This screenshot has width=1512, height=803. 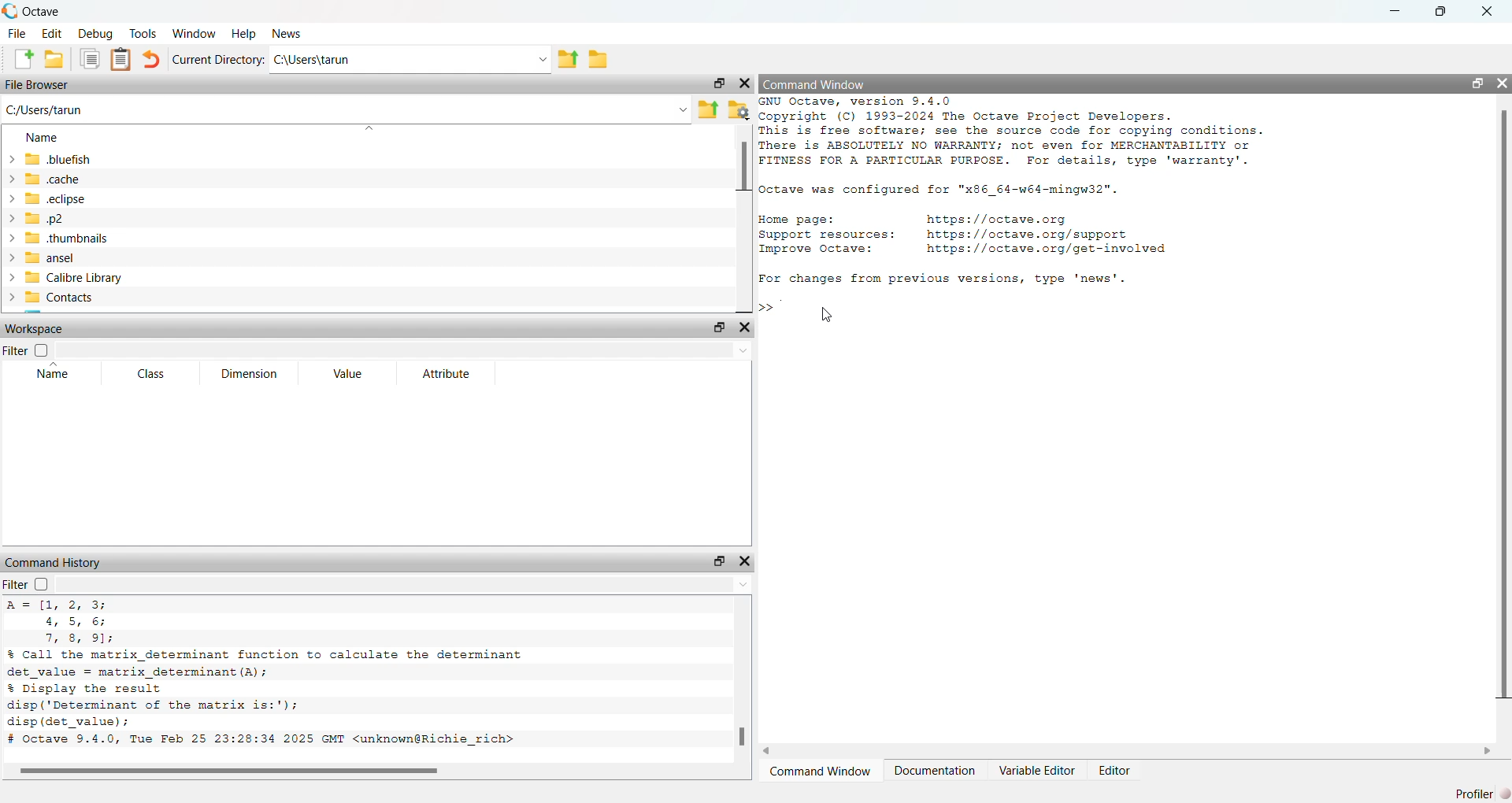 What do you see at coordinates (65, 278) in the screenshot?
I see `calibre library` at bounding box center [65, 278].